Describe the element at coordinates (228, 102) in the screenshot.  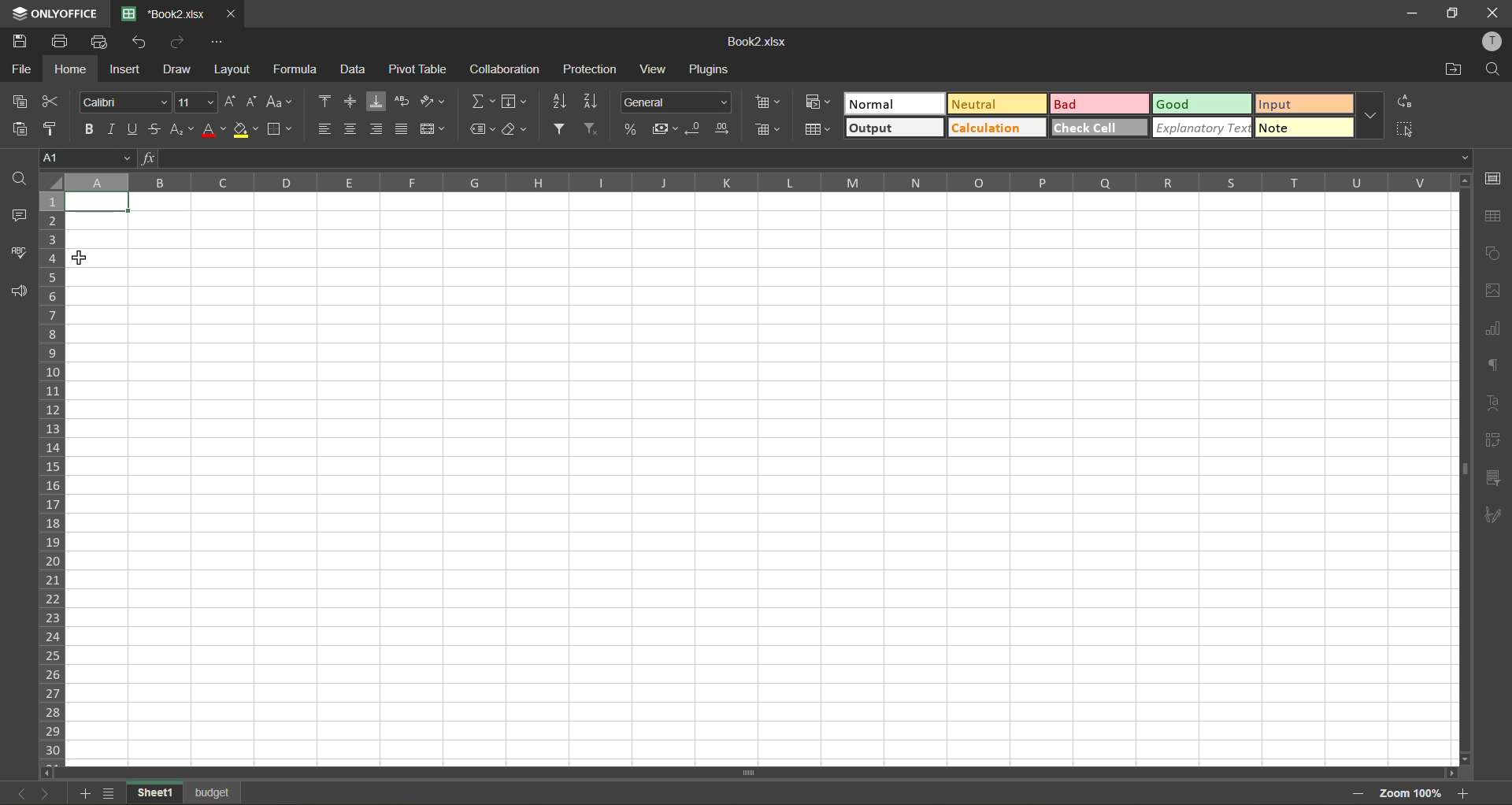
I see `increment size` at that location.